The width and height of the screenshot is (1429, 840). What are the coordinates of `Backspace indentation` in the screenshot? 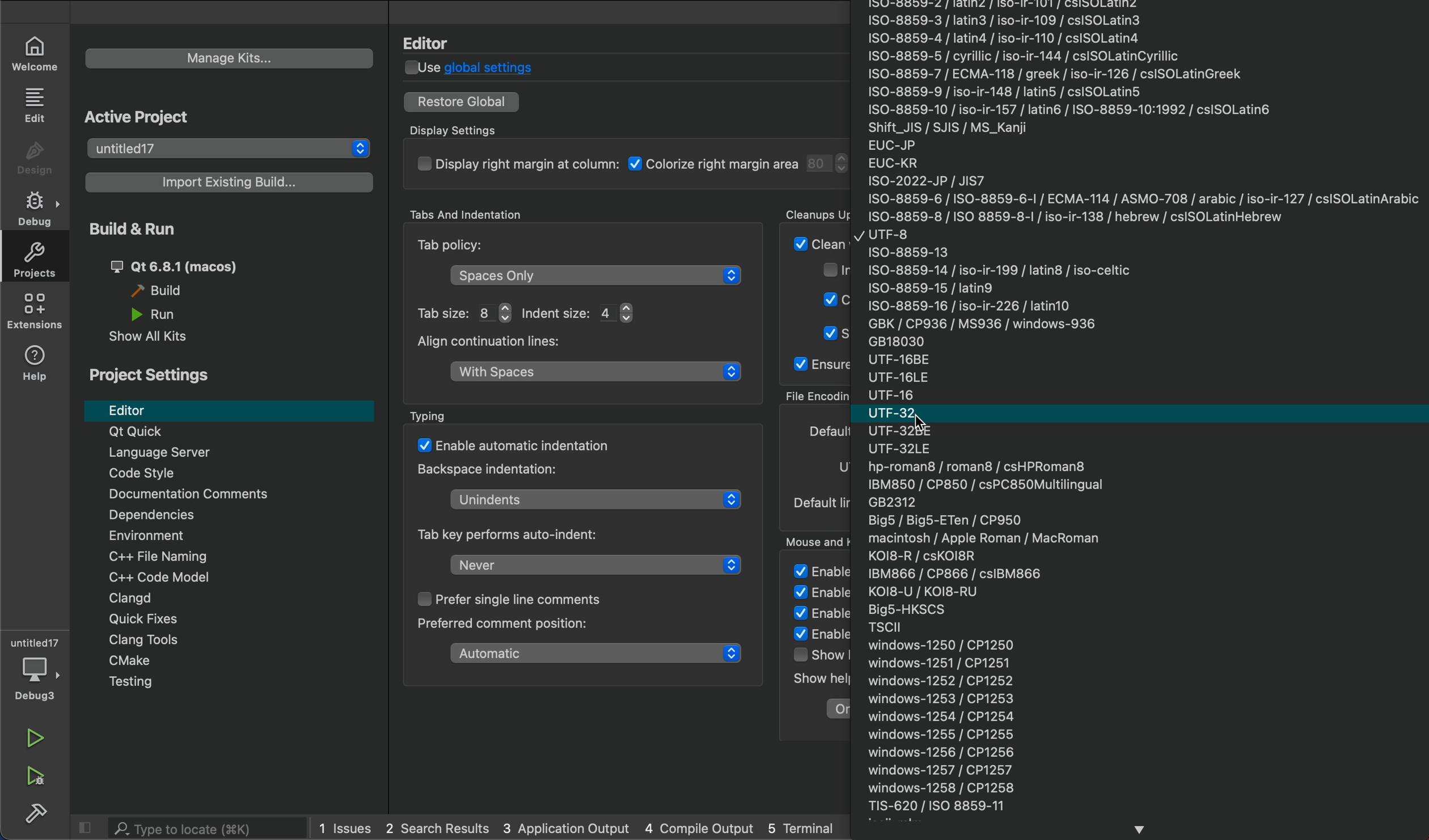 It's located at (491, 473).